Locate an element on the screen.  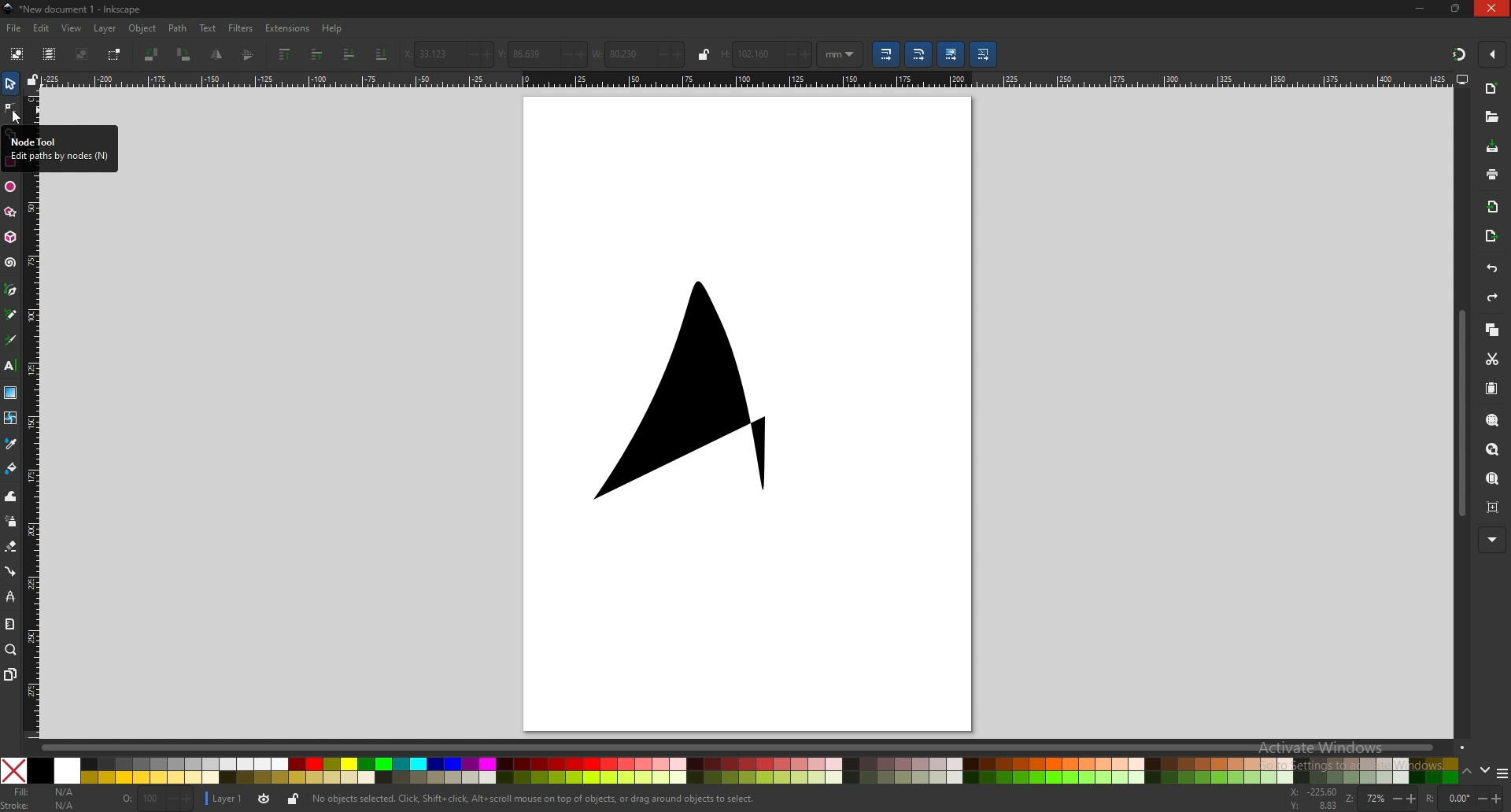
down is located at coordinates (1486, 771).